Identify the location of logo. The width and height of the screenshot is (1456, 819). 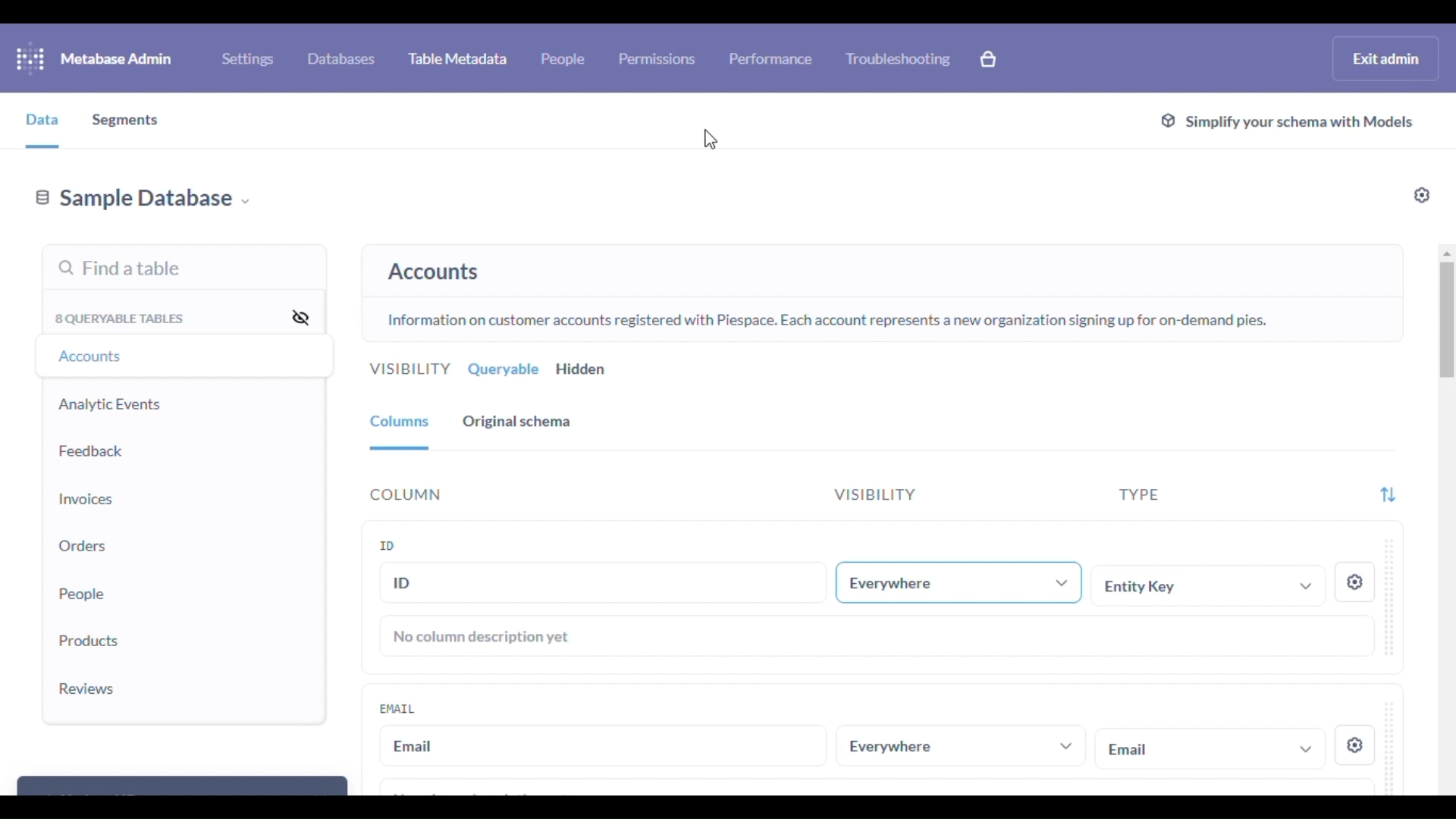
(30, 58).